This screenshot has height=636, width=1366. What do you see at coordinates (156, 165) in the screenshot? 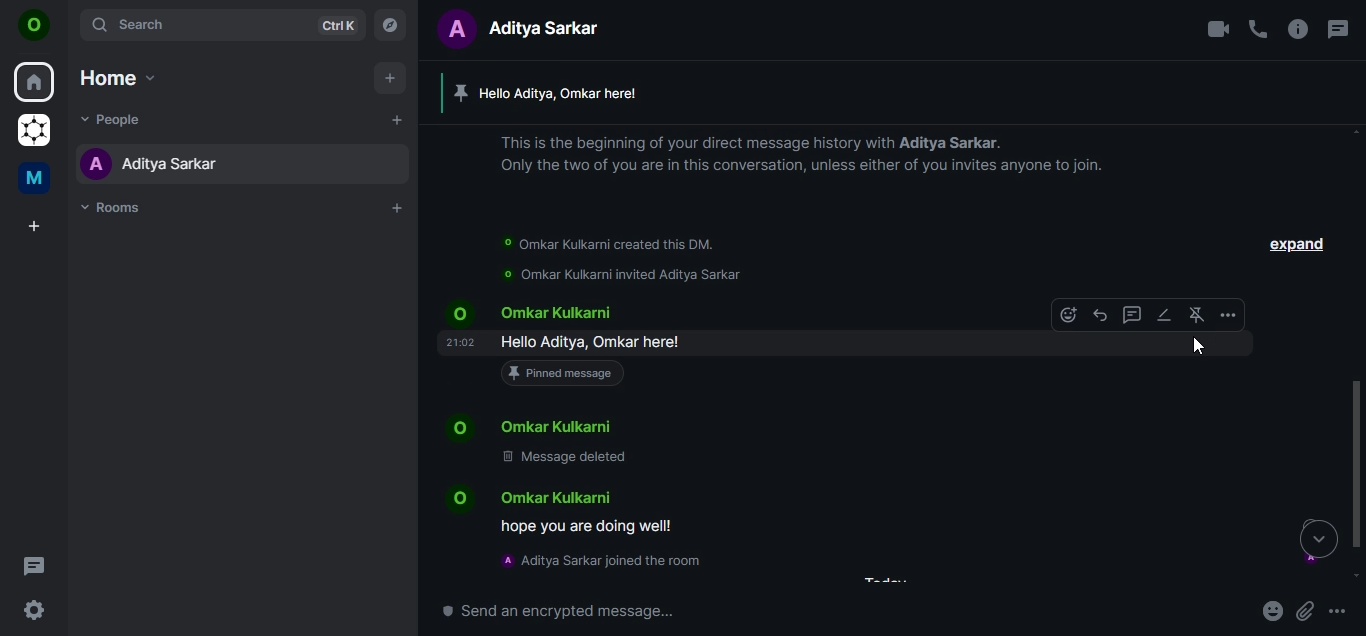
I see `aditya sarkar` at bounding box center [156, 165].